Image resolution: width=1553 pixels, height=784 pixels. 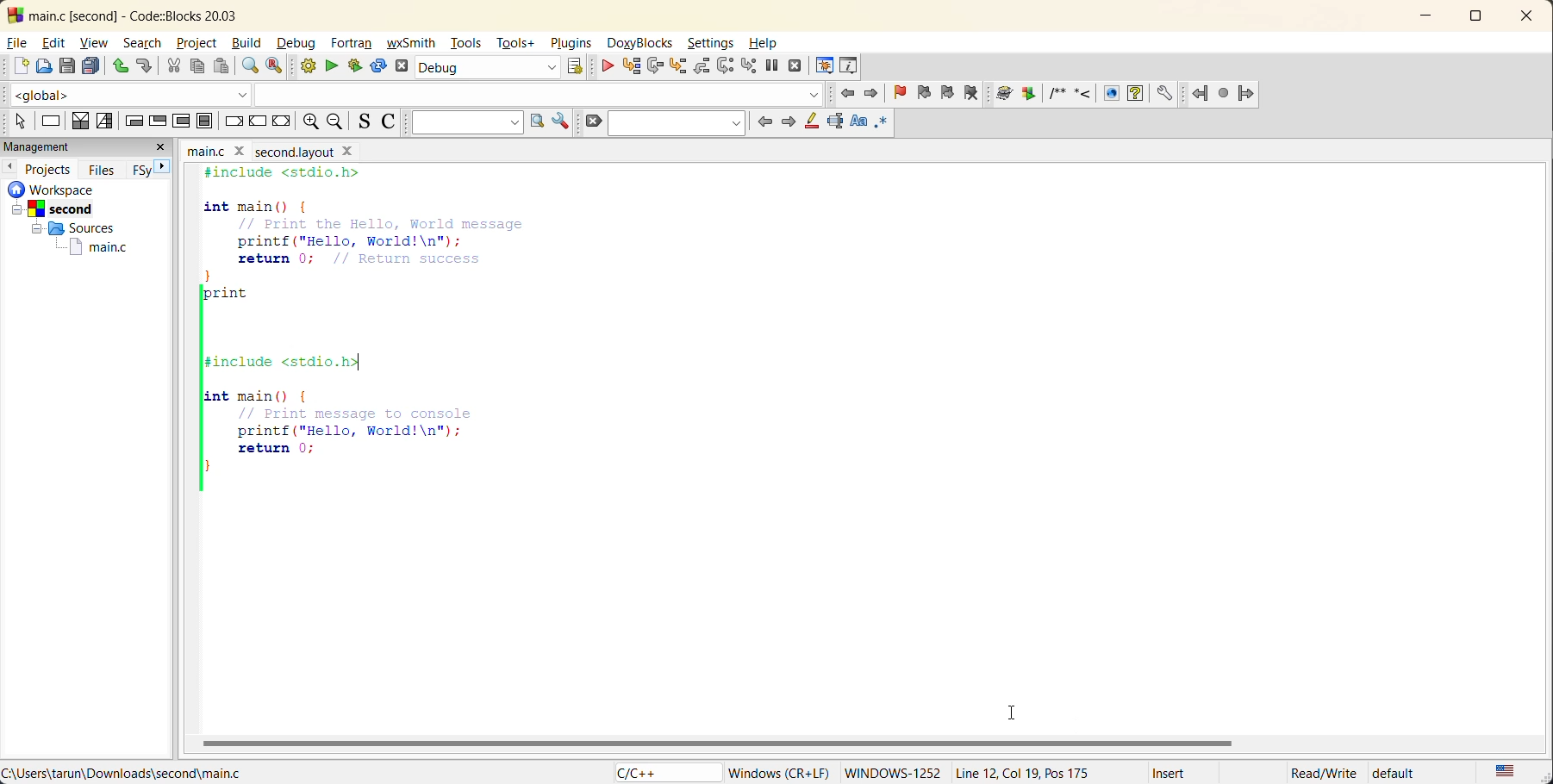 What do you see at coordinates (247, 42) in the screenshot?
I see `build` at bounding box center [247, 42].